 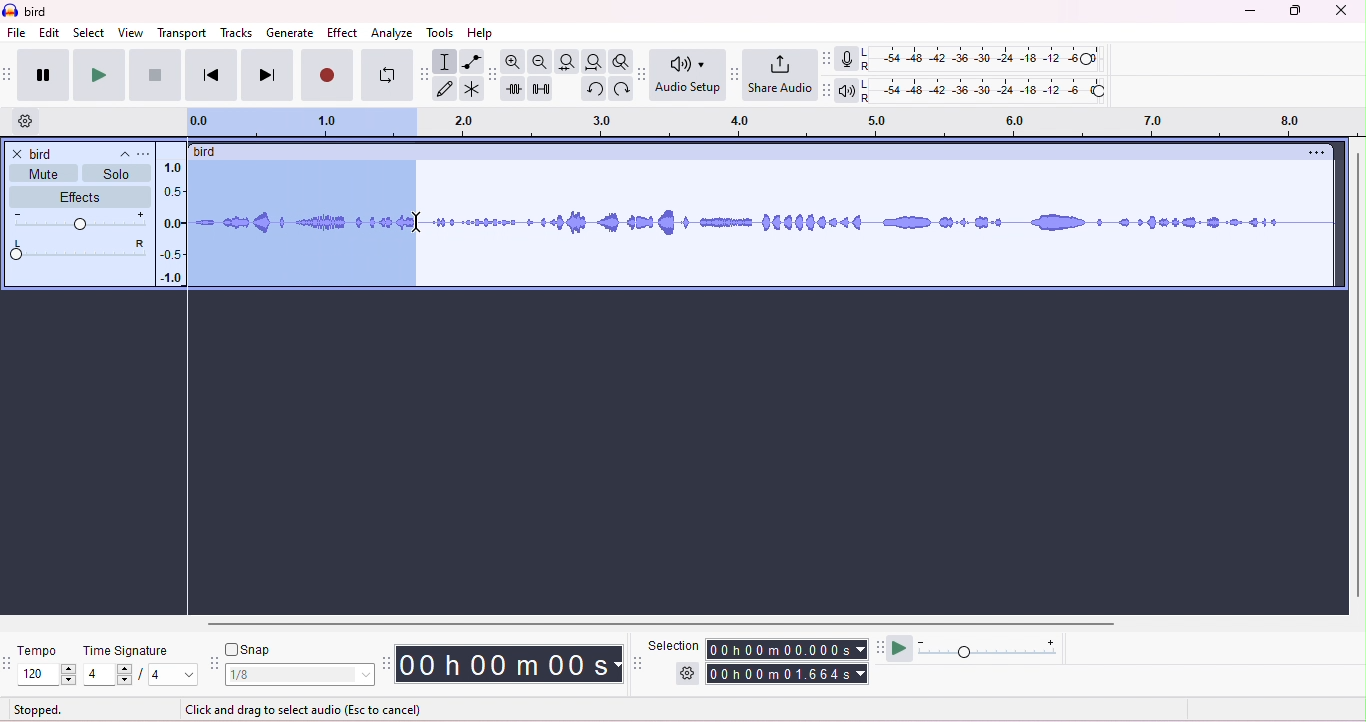 I want to click on tracks, so click(x=236, y=34).